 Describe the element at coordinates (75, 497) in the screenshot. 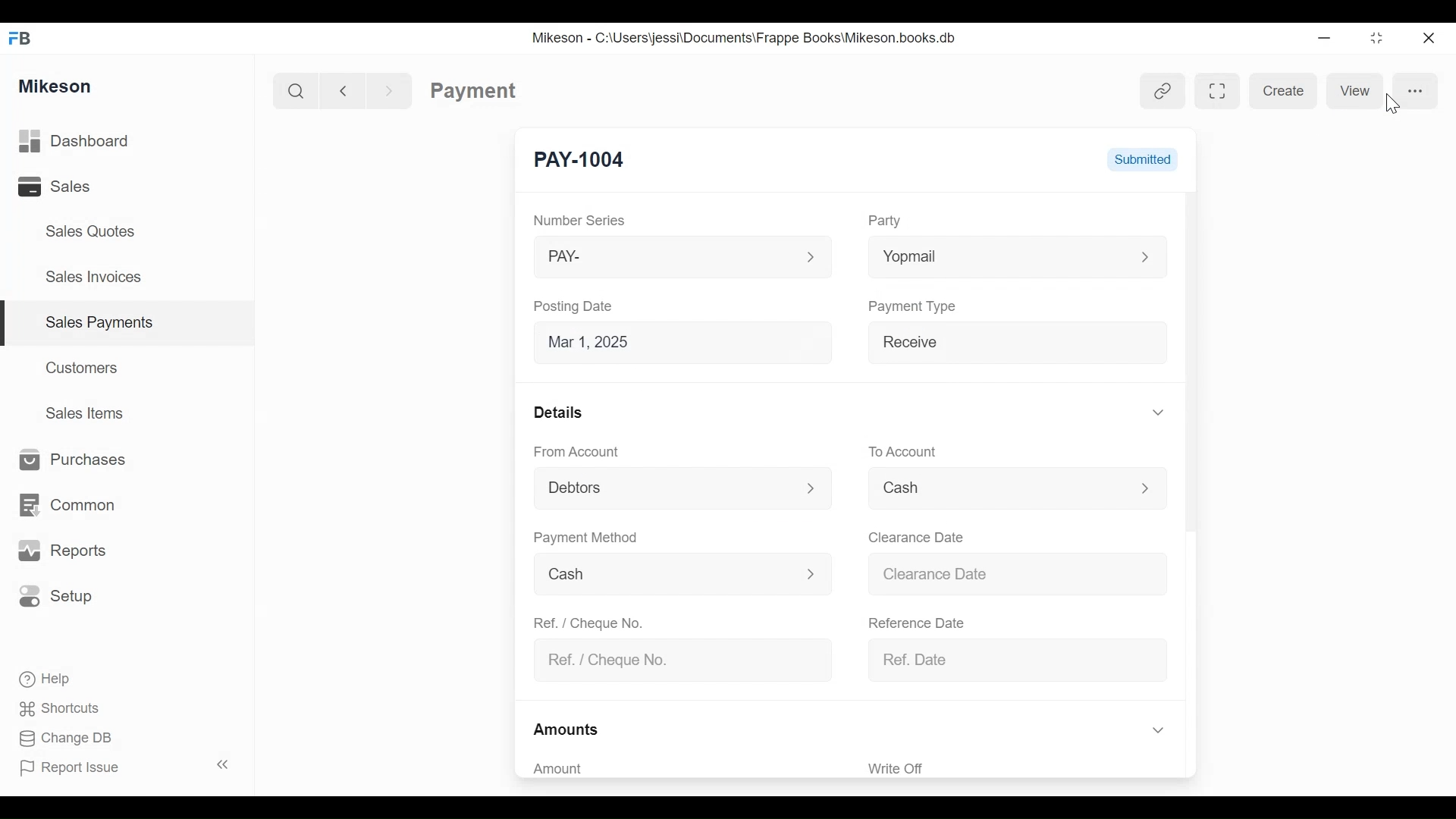

I see `Common` at that location.